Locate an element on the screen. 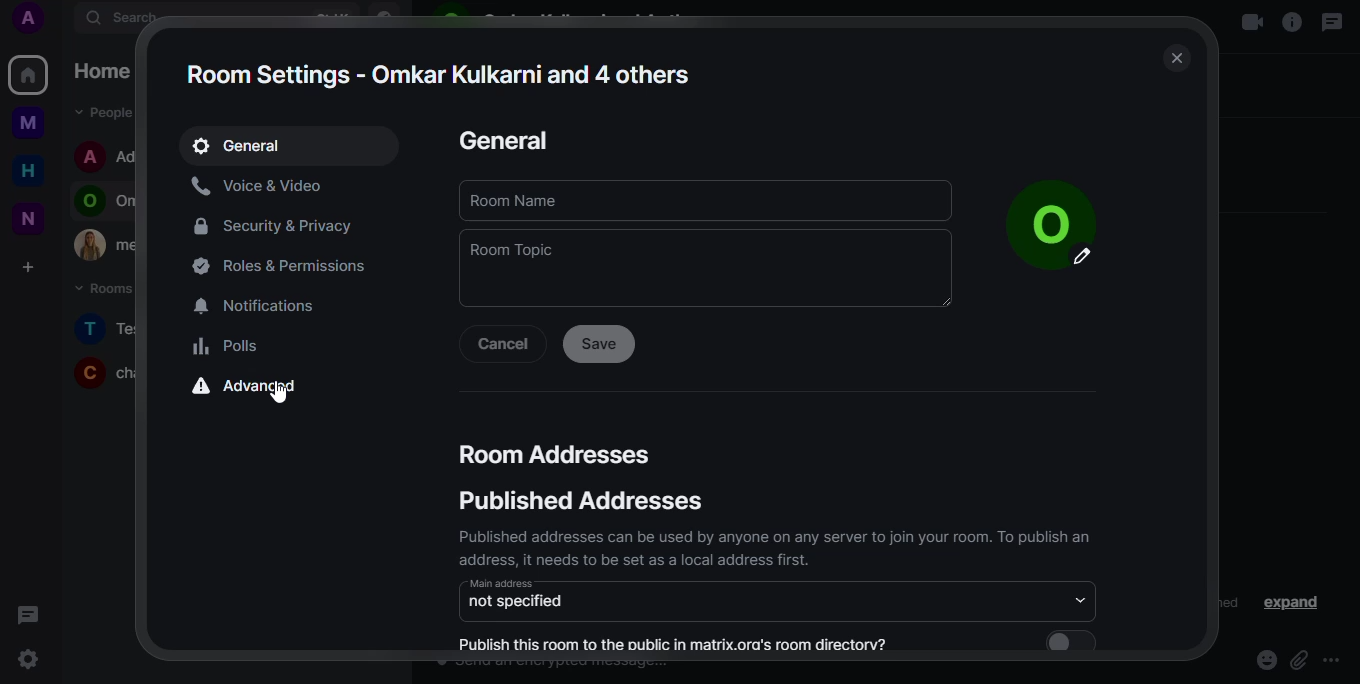 The height and width of the screenshot is (684, 1360). n is located at coordinates (35, 218).